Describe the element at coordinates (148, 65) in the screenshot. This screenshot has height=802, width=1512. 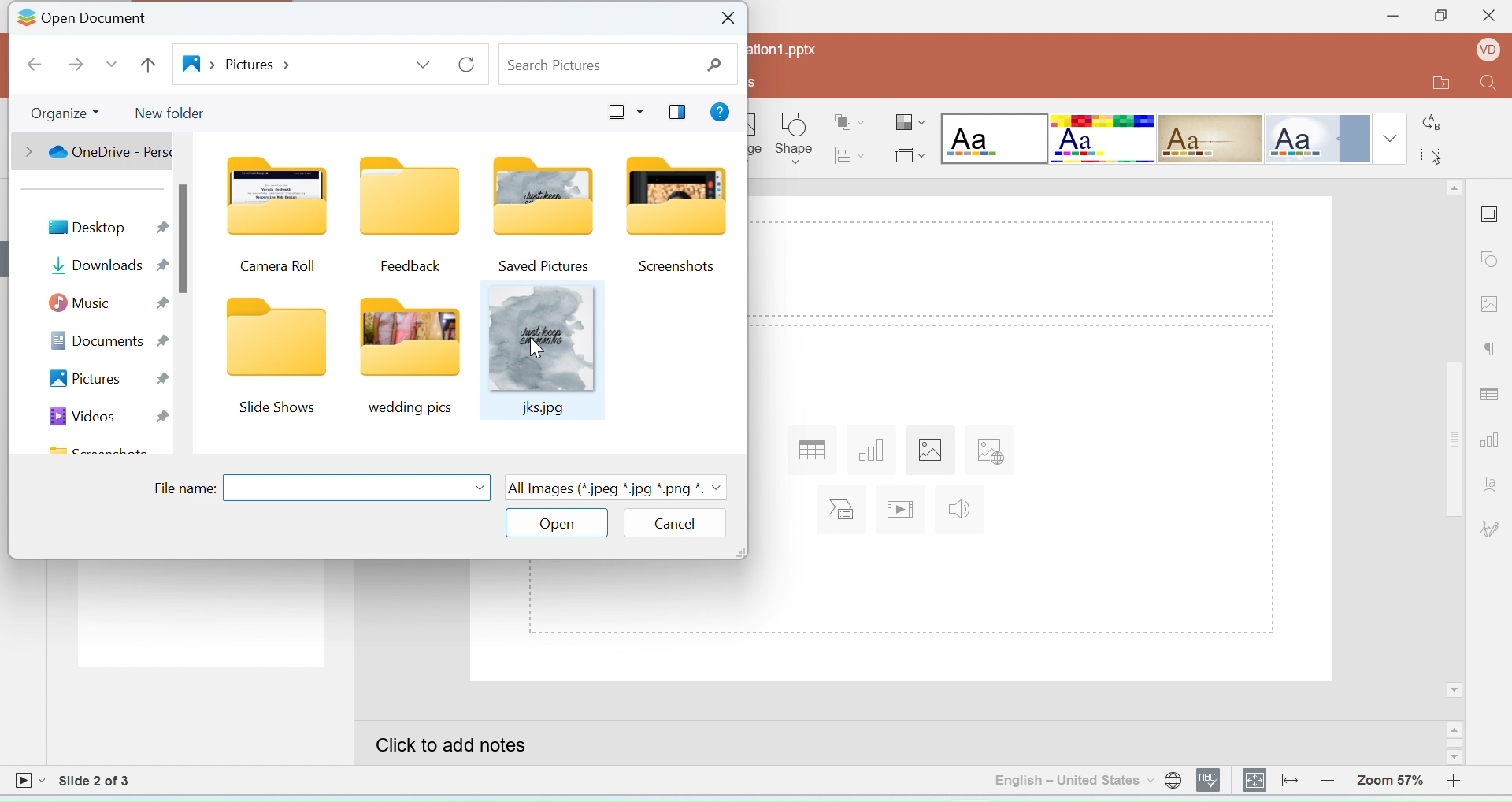
I see `back` at that location.